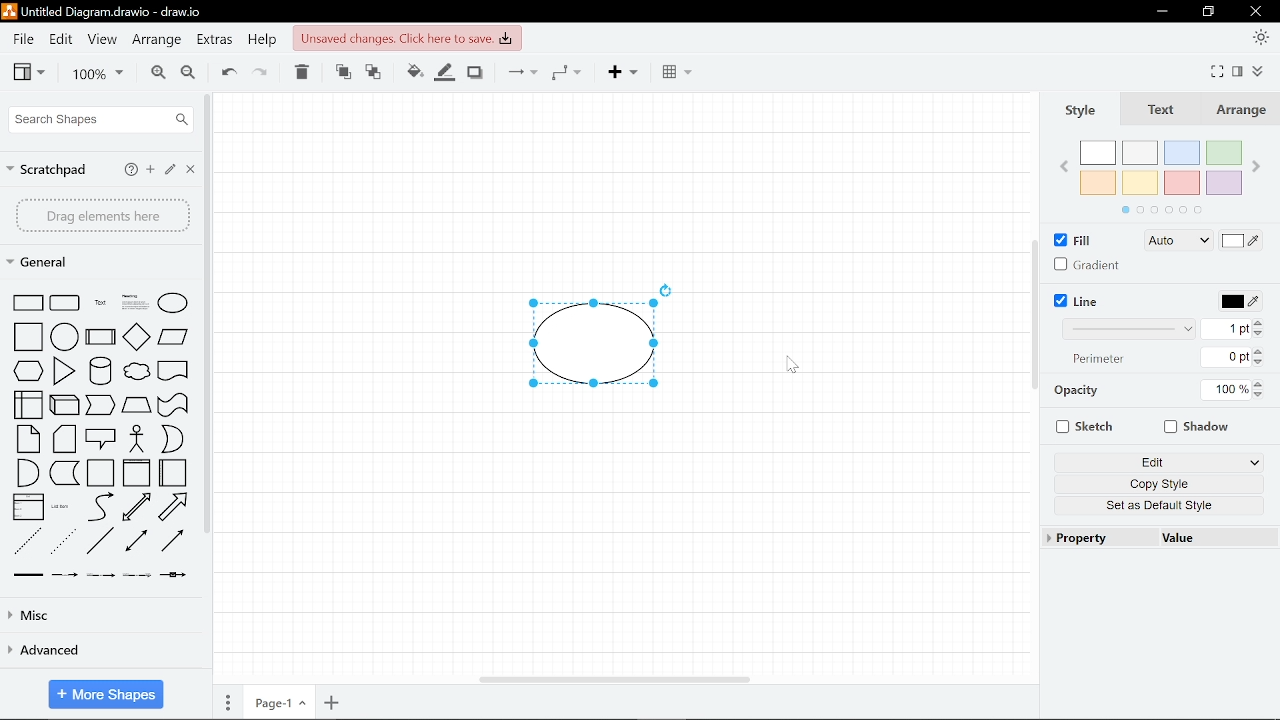 The width and height of the screenshot is (1280, 720). What do you see at coordinates (171, 575) in the screenshot?
I see `connector with symbol` at bounding box center [171, 575].